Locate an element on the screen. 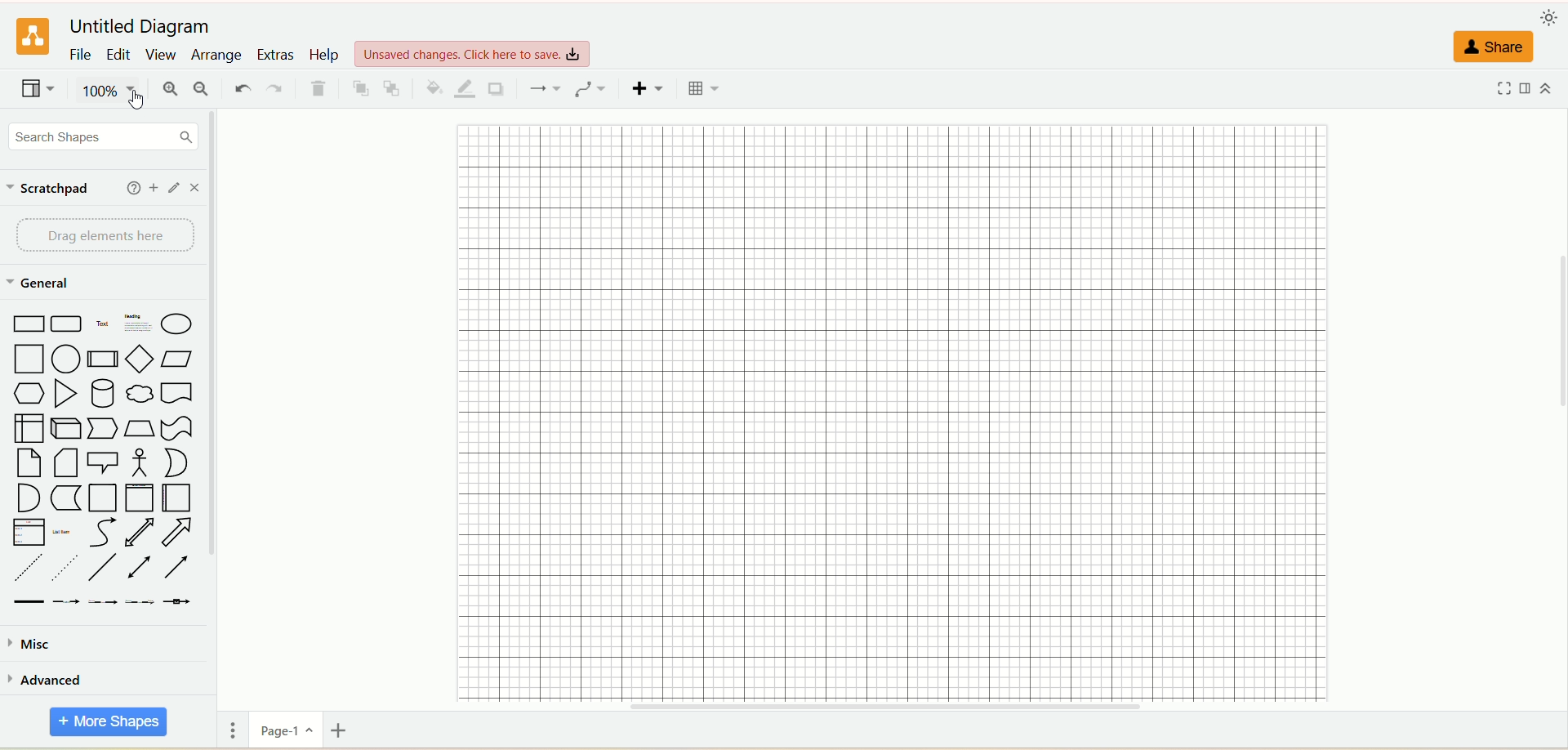 This screenshot has width=1568, height=750. zoom in is located at coordinates (173, 89).